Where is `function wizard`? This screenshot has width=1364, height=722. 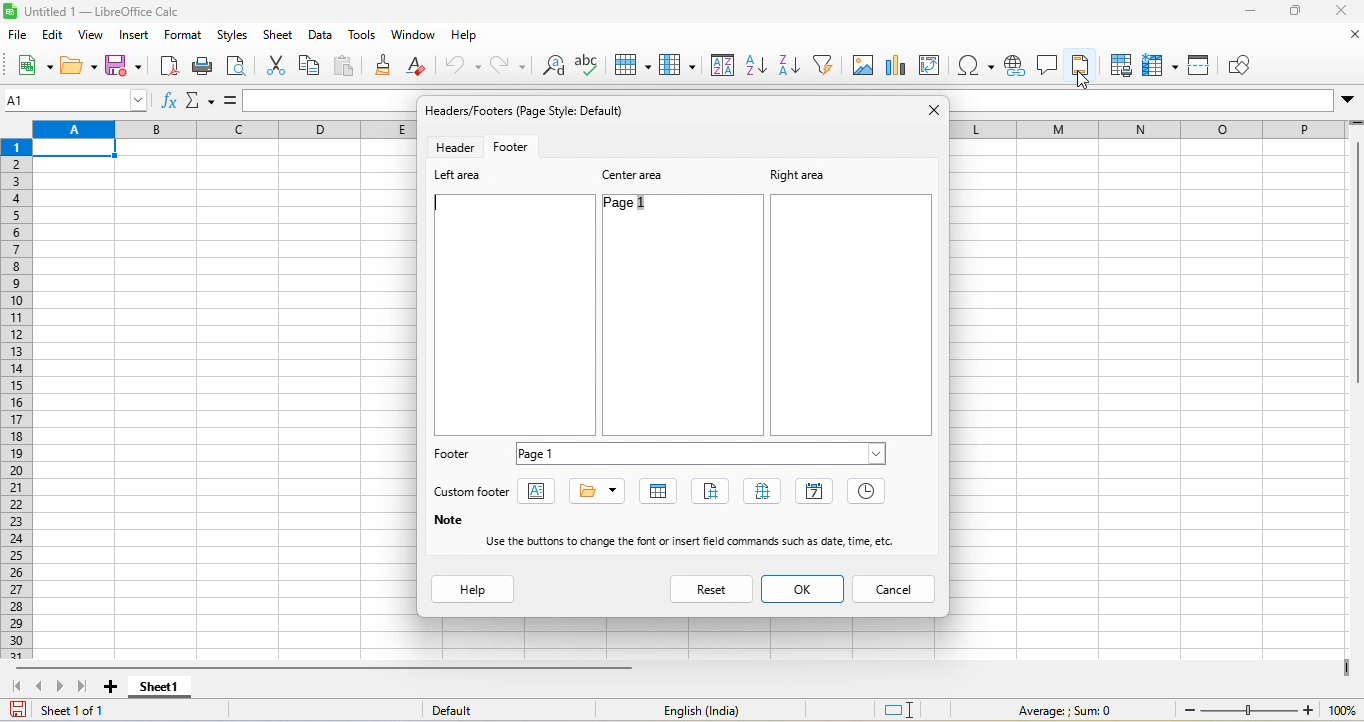
function wizard is located at coordinates (170, 103).